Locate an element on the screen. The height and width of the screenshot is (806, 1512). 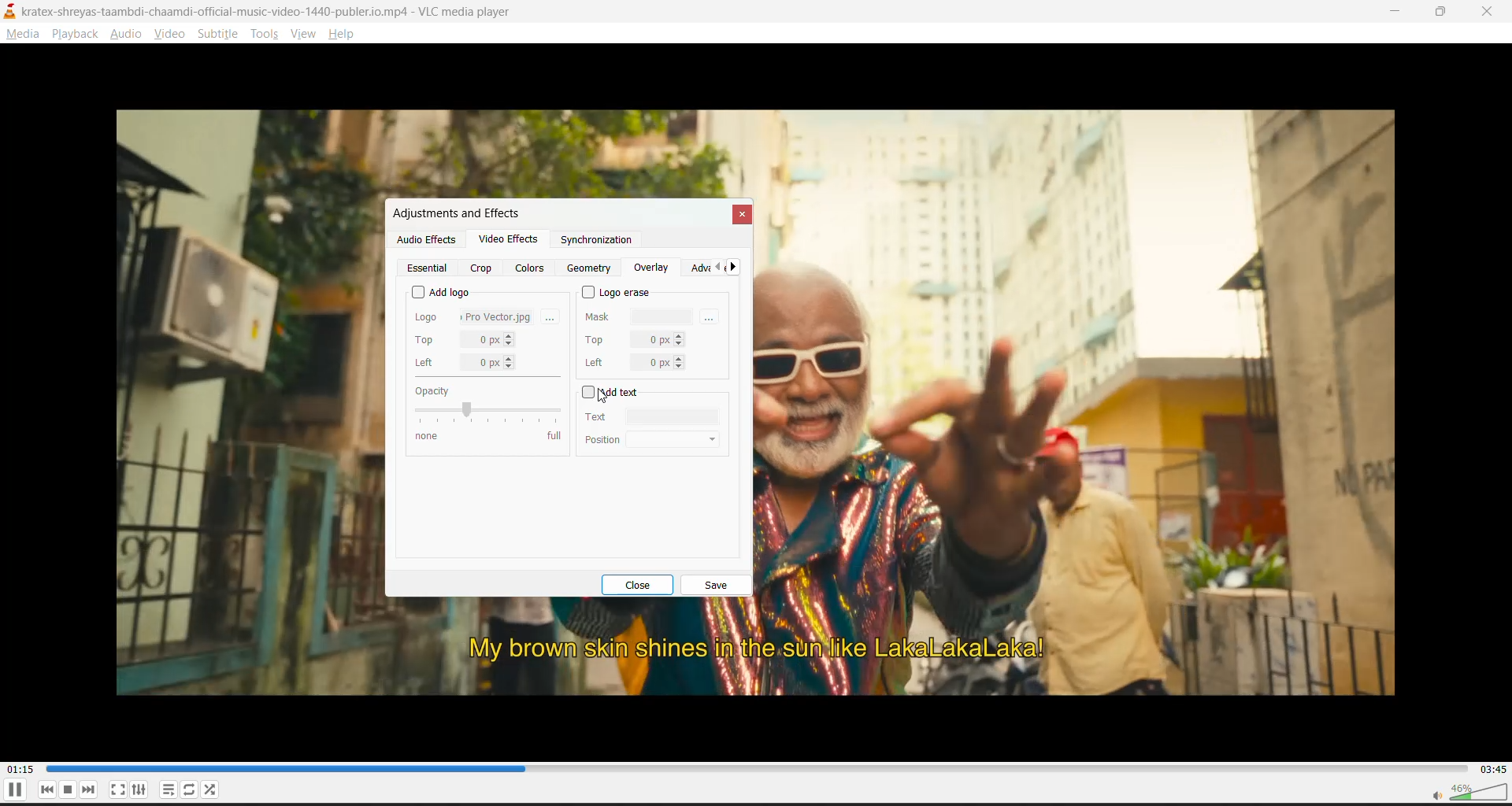
video effects is located at coordinates (508, 242).